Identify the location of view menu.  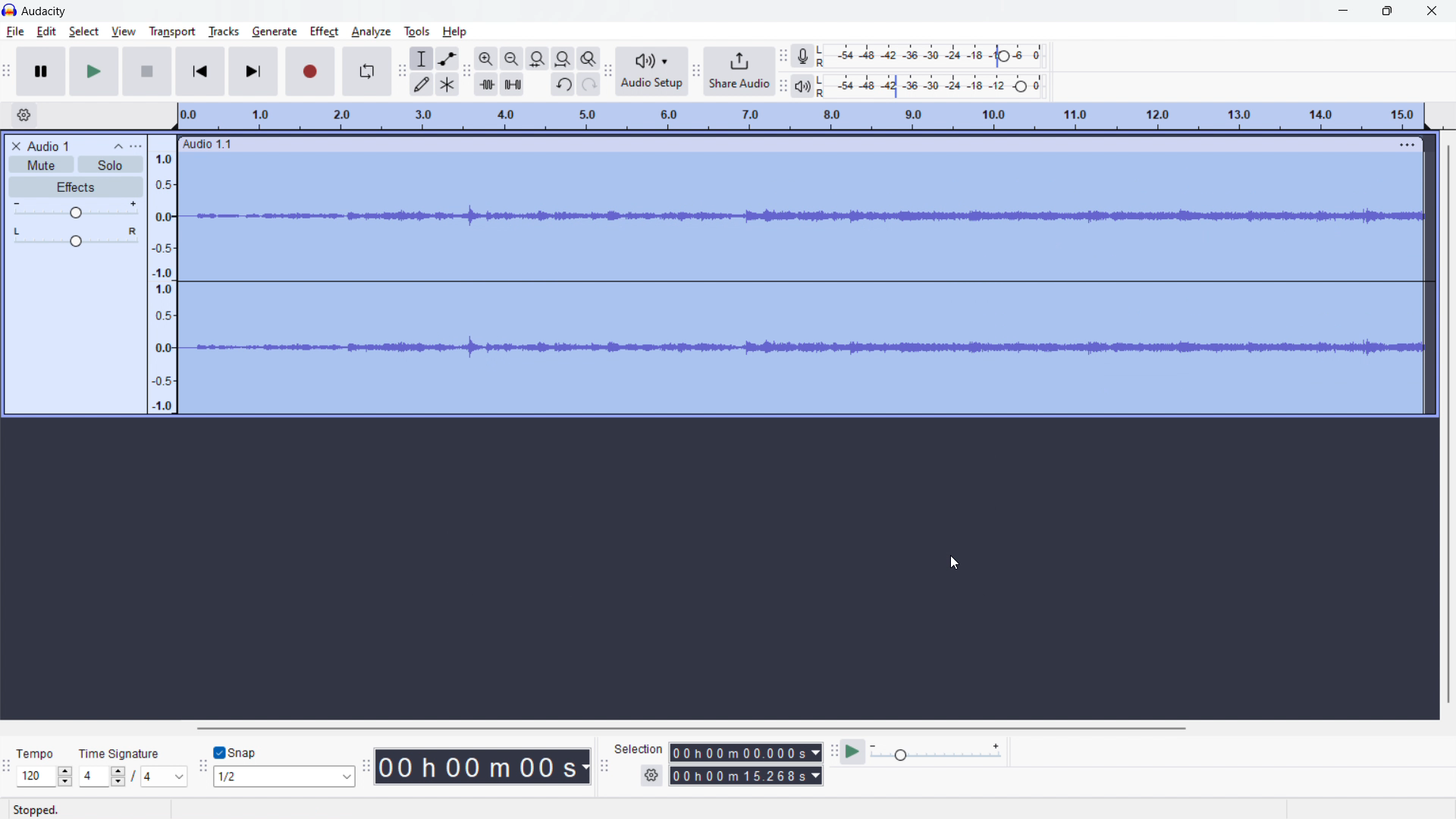
(135, 146).